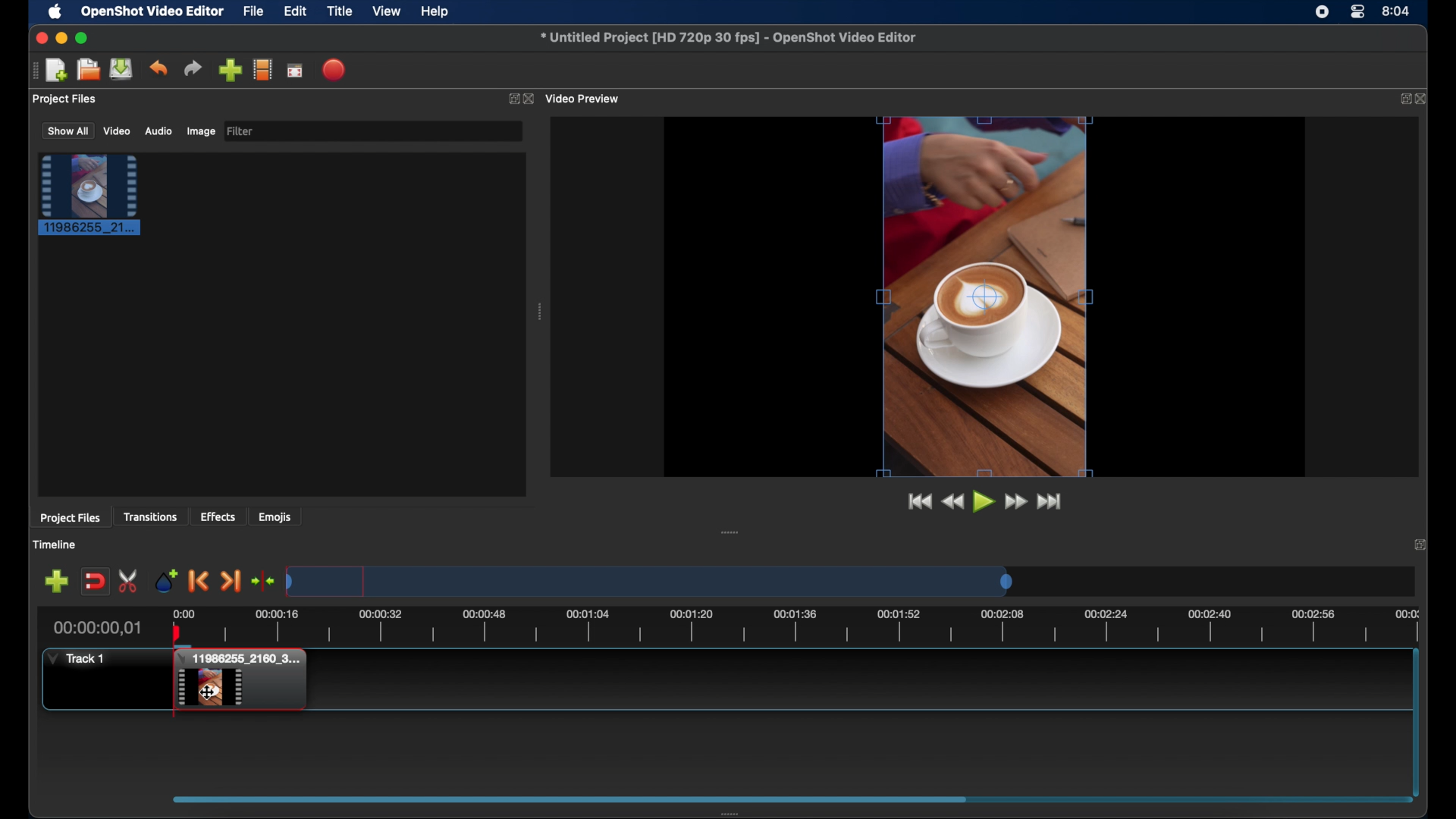  Describe the element at coordinates (986, 297) in the screenshot. I see `video preview` at that location.